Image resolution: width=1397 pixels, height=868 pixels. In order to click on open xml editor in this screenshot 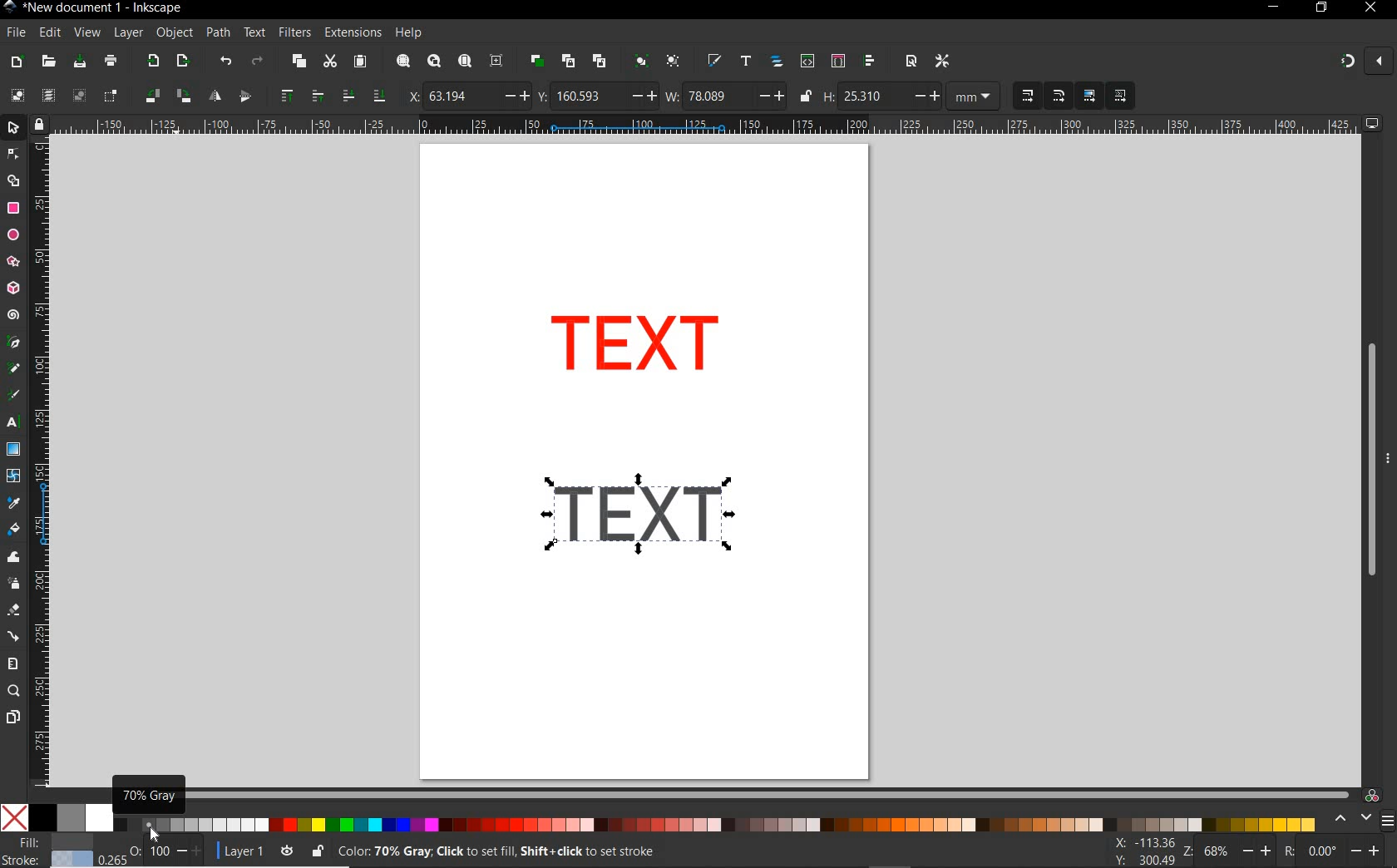, I will do `click(806, 62)`.